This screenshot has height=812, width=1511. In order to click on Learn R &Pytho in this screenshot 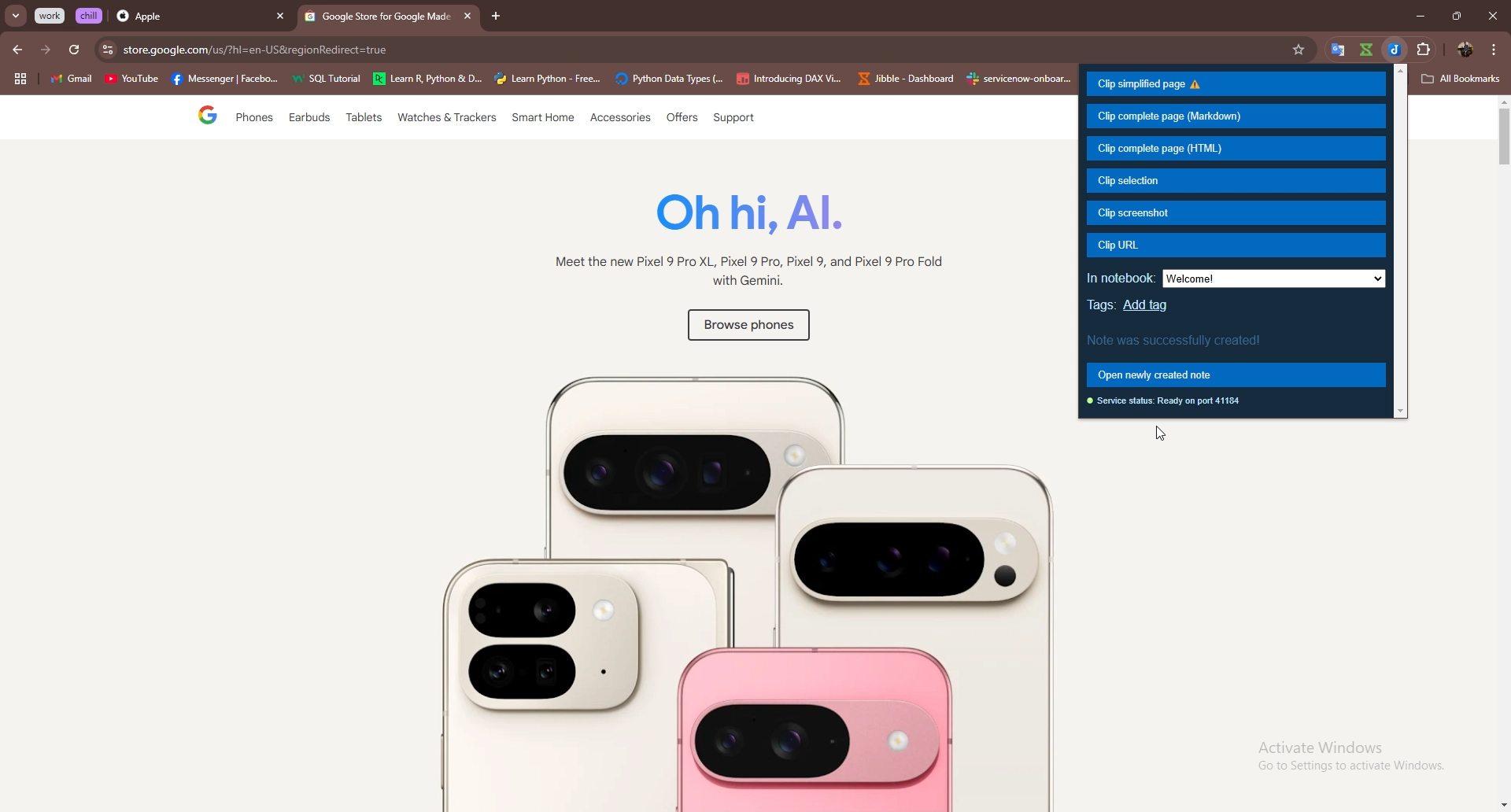, I will do `click(428, 79)`.